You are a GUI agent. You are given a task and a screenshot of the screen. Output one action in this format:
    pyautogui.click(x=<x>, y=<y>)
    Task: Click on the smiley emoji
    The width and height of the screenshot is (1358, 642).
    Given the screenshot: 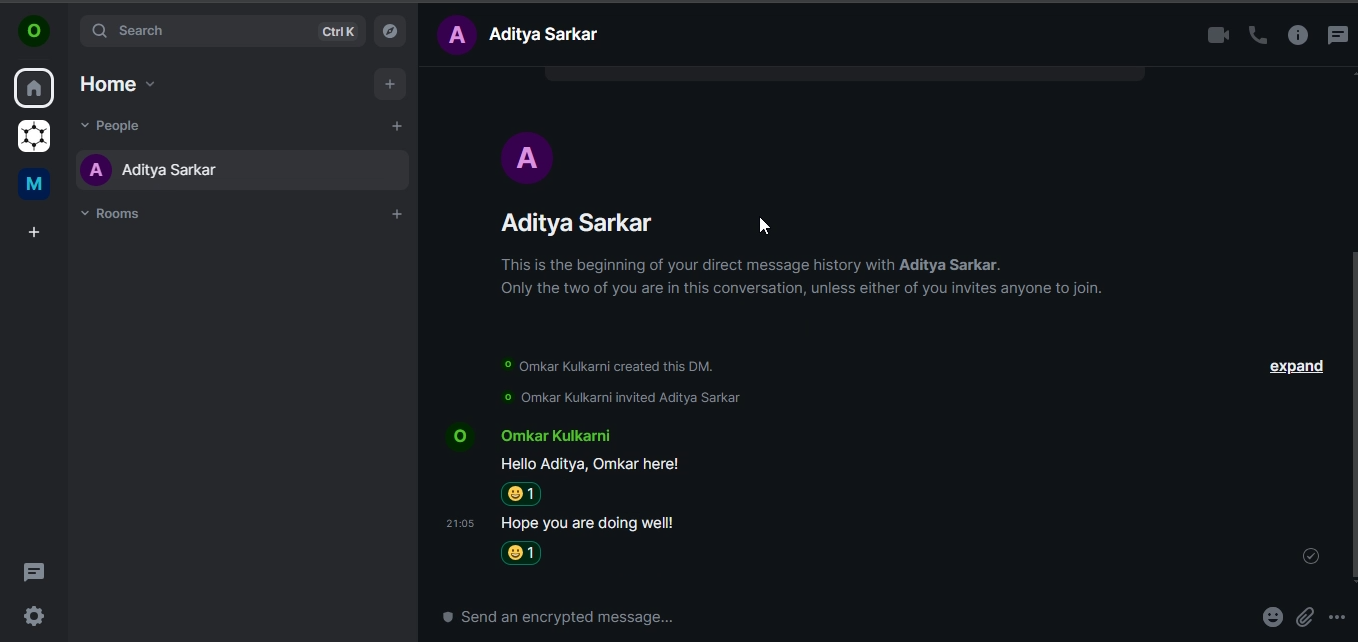 What is the action you would take?
    pyautogui.click(x=522, y=495)
    